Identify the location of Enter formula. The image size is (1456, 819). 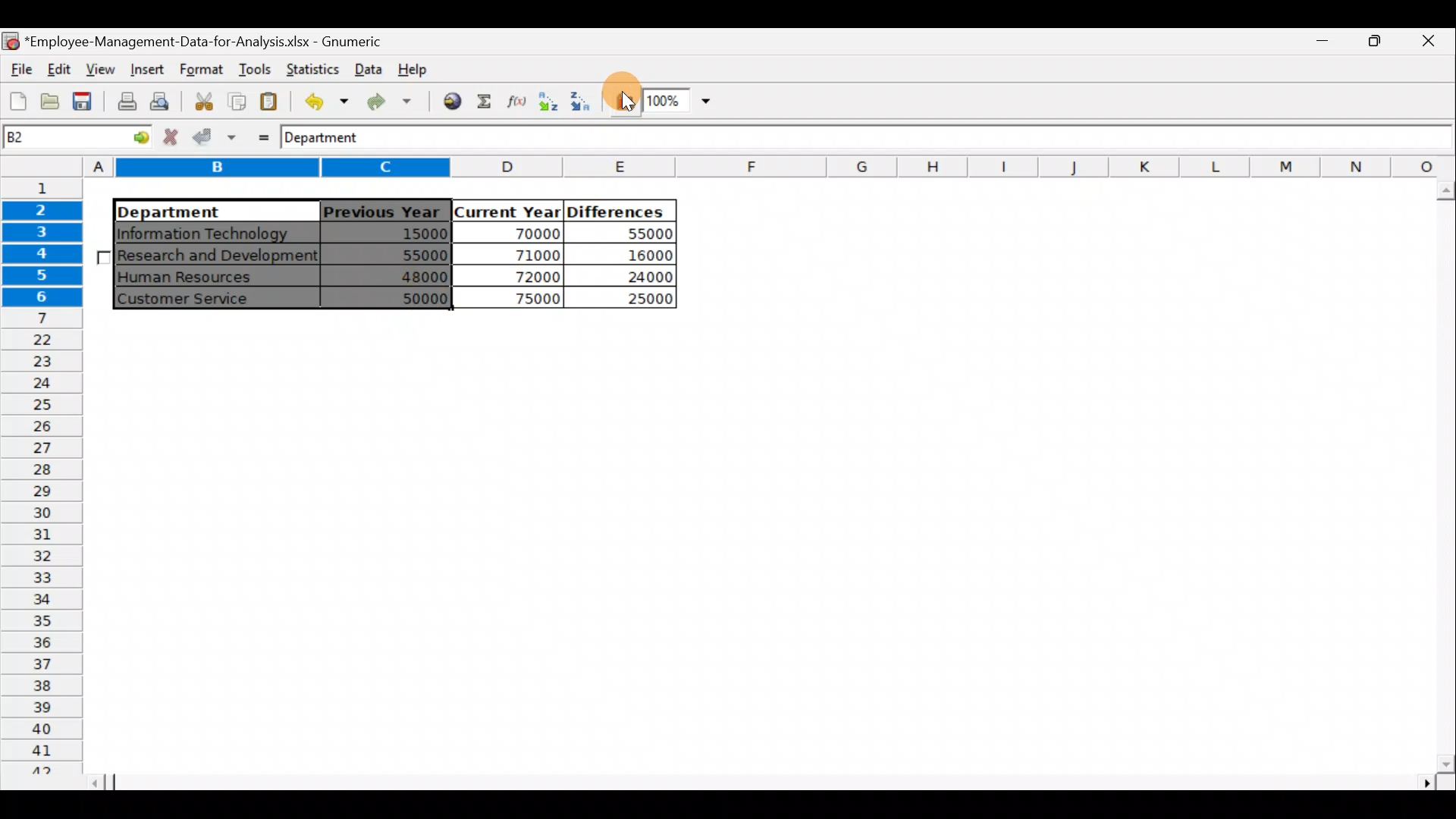
(259, 136).